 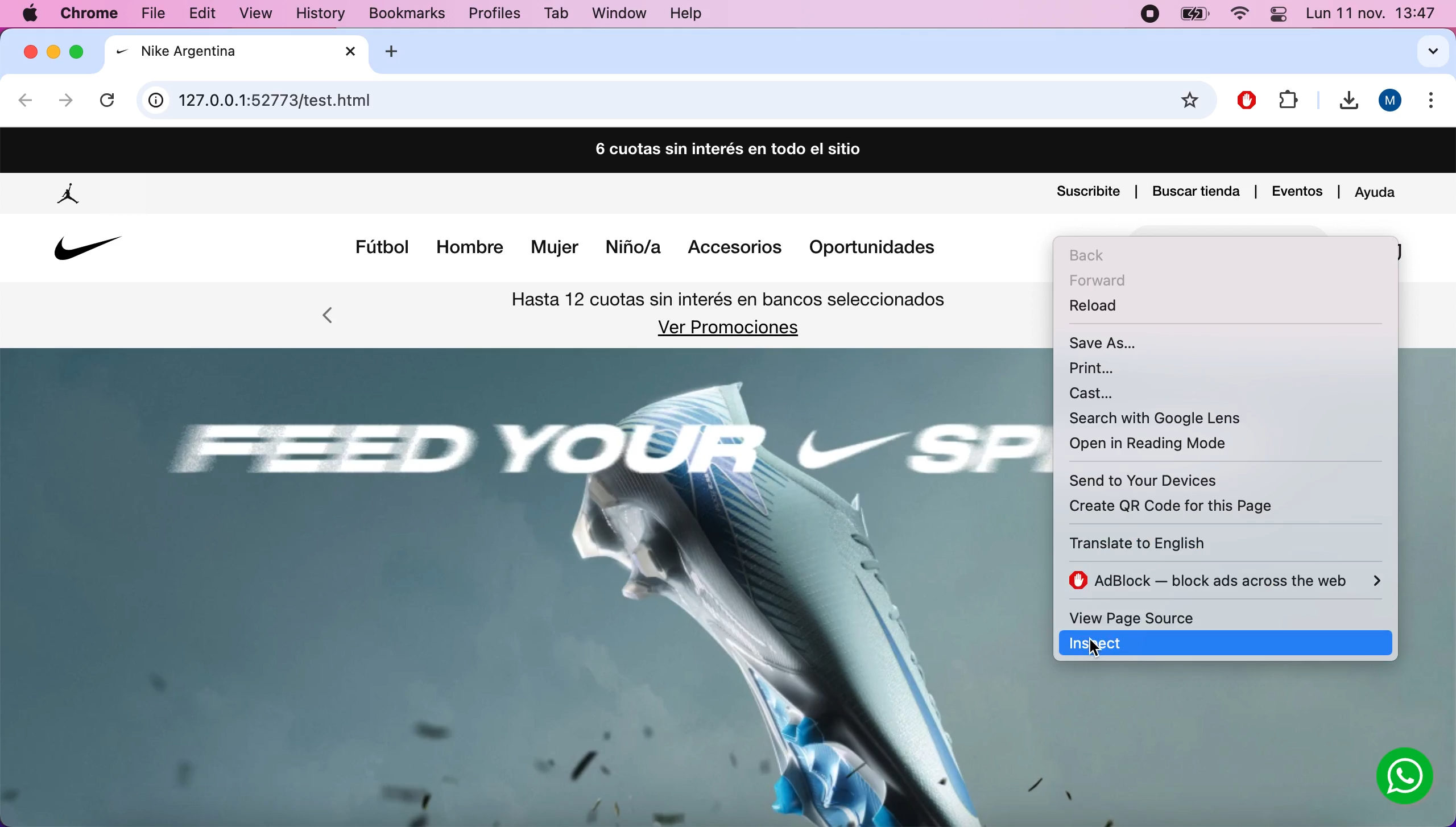 I want to click on open in reading mode, so click(x=1164, y=446).